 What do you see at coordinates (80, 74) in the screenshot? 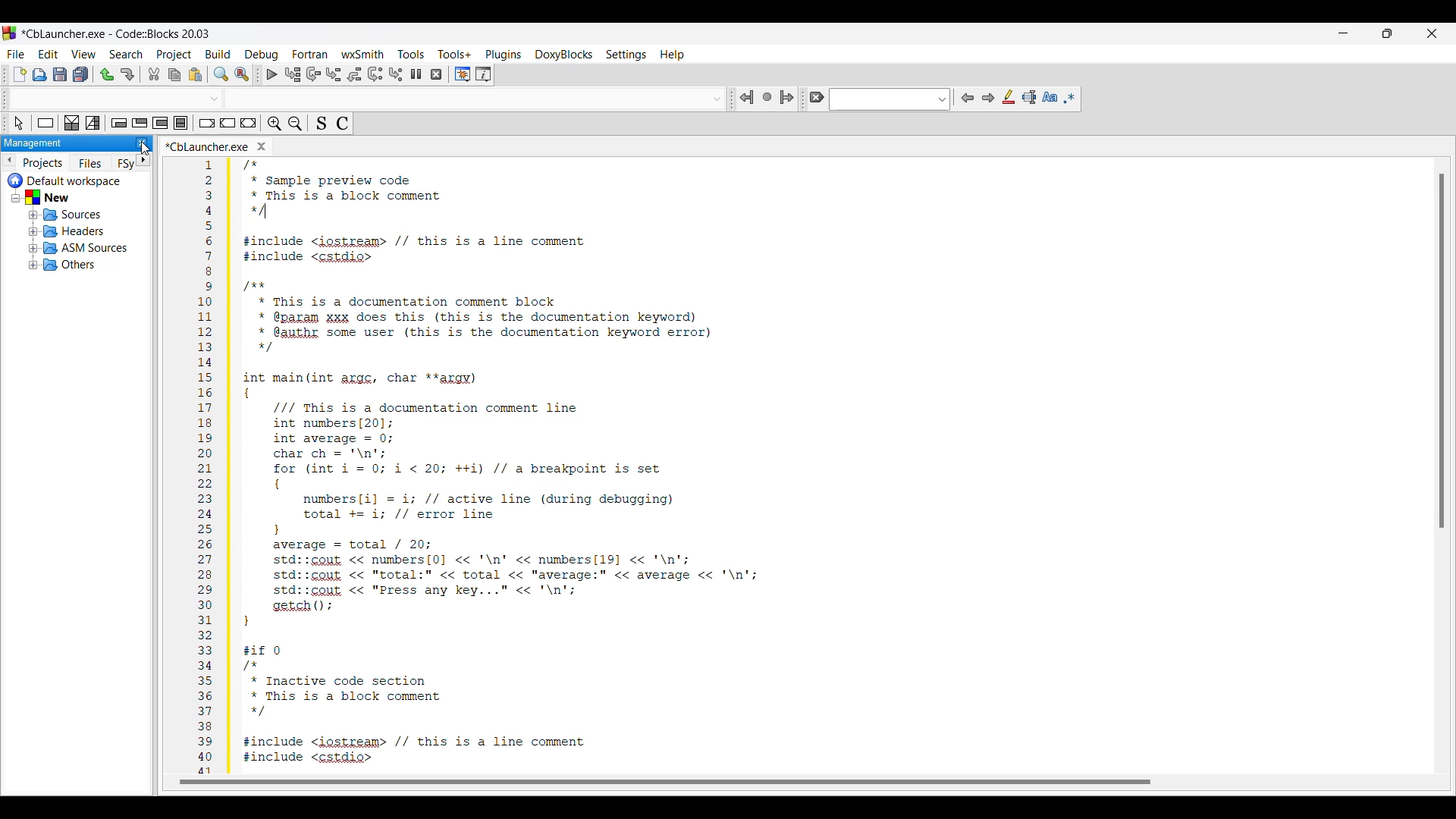
I see `Save everything` at bounding box center [80, 74].